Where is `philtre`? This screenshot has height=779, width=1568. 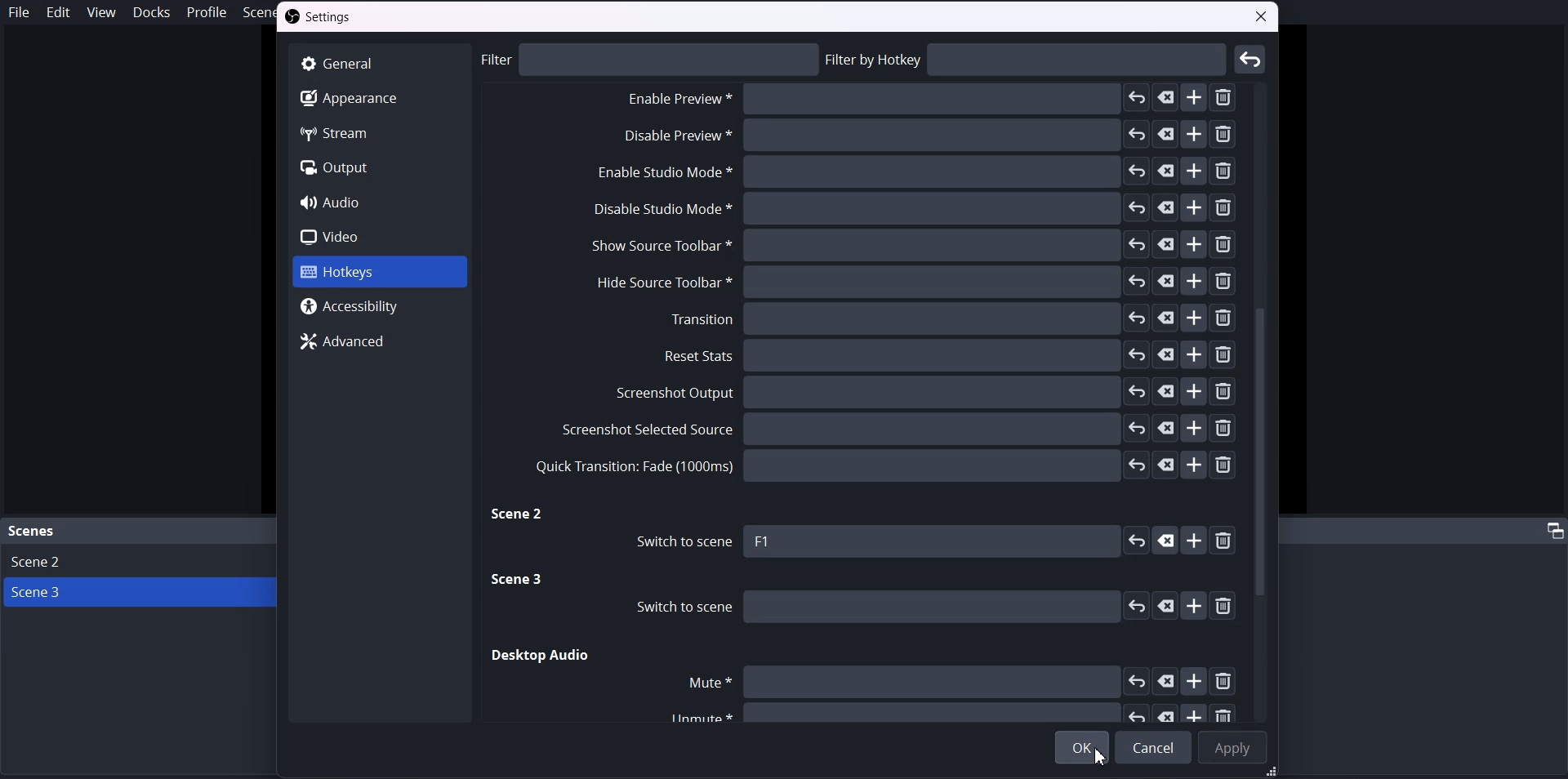
philtre is located at coordinates (650, 59).